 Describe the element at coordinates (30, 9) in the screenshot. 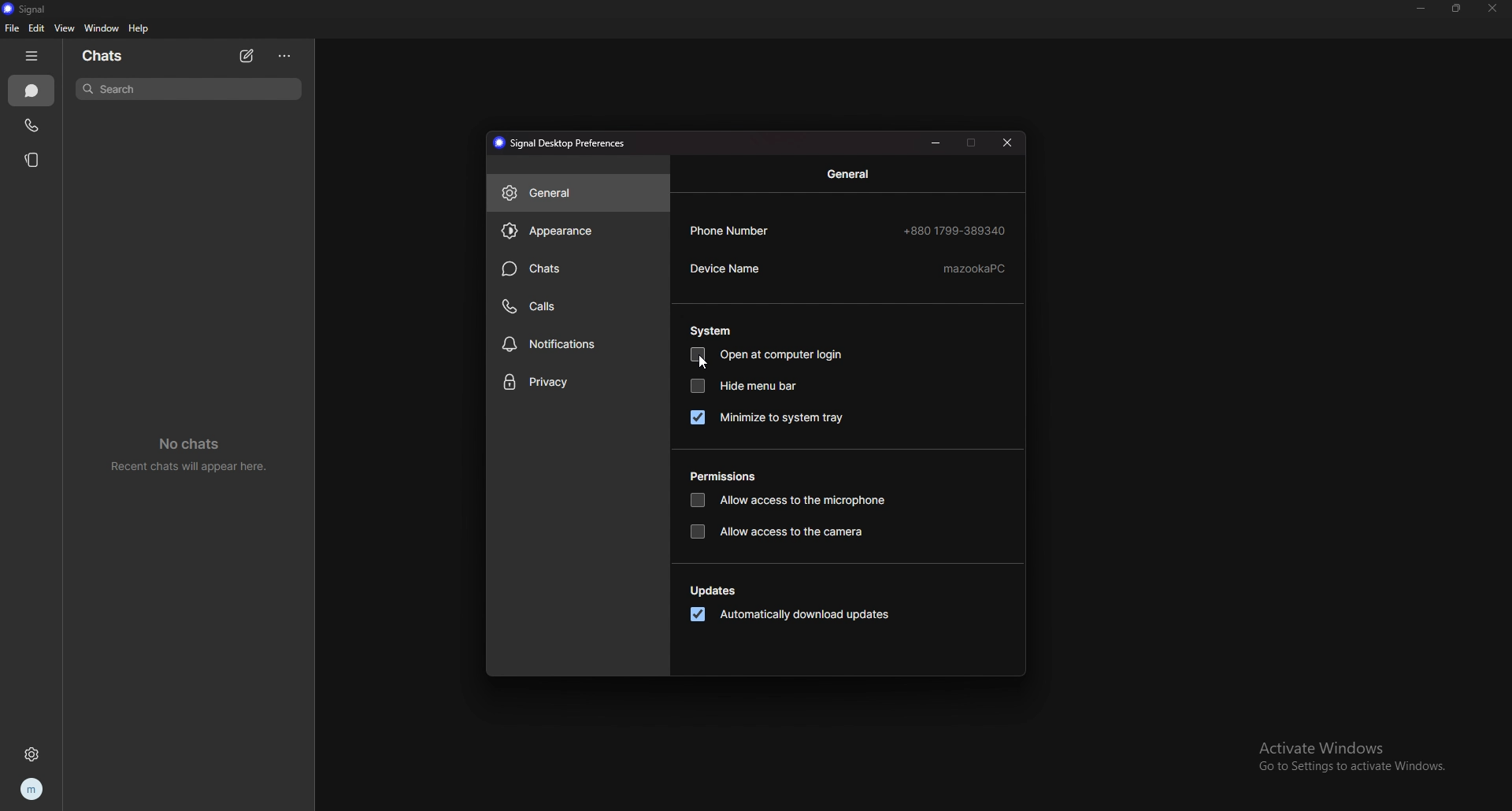

I see `signal` at that location.